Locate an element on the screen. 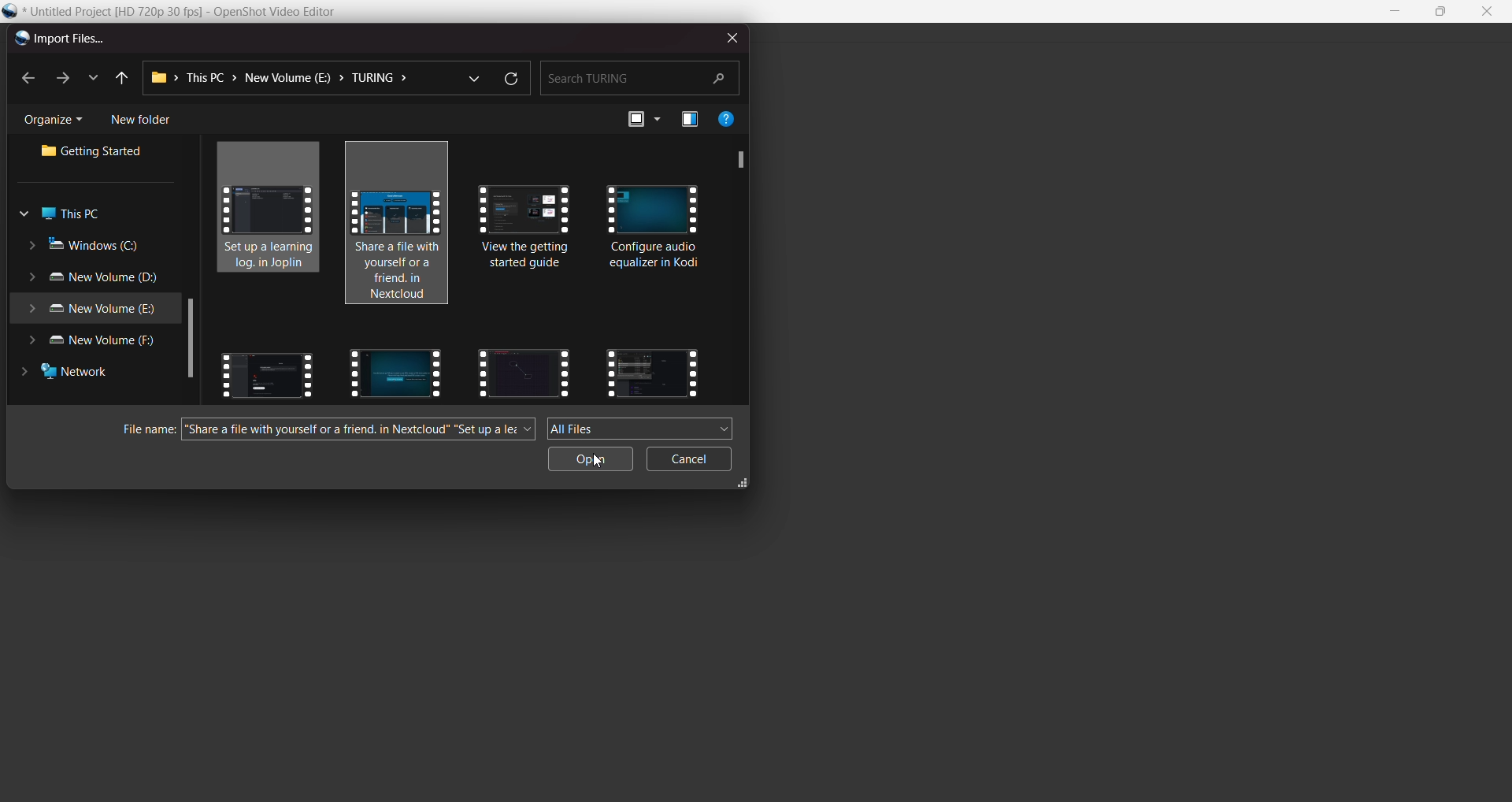 Image resolution: width=1512 pixels, height=802 pixels. file name is located at coordinates (141, 430).